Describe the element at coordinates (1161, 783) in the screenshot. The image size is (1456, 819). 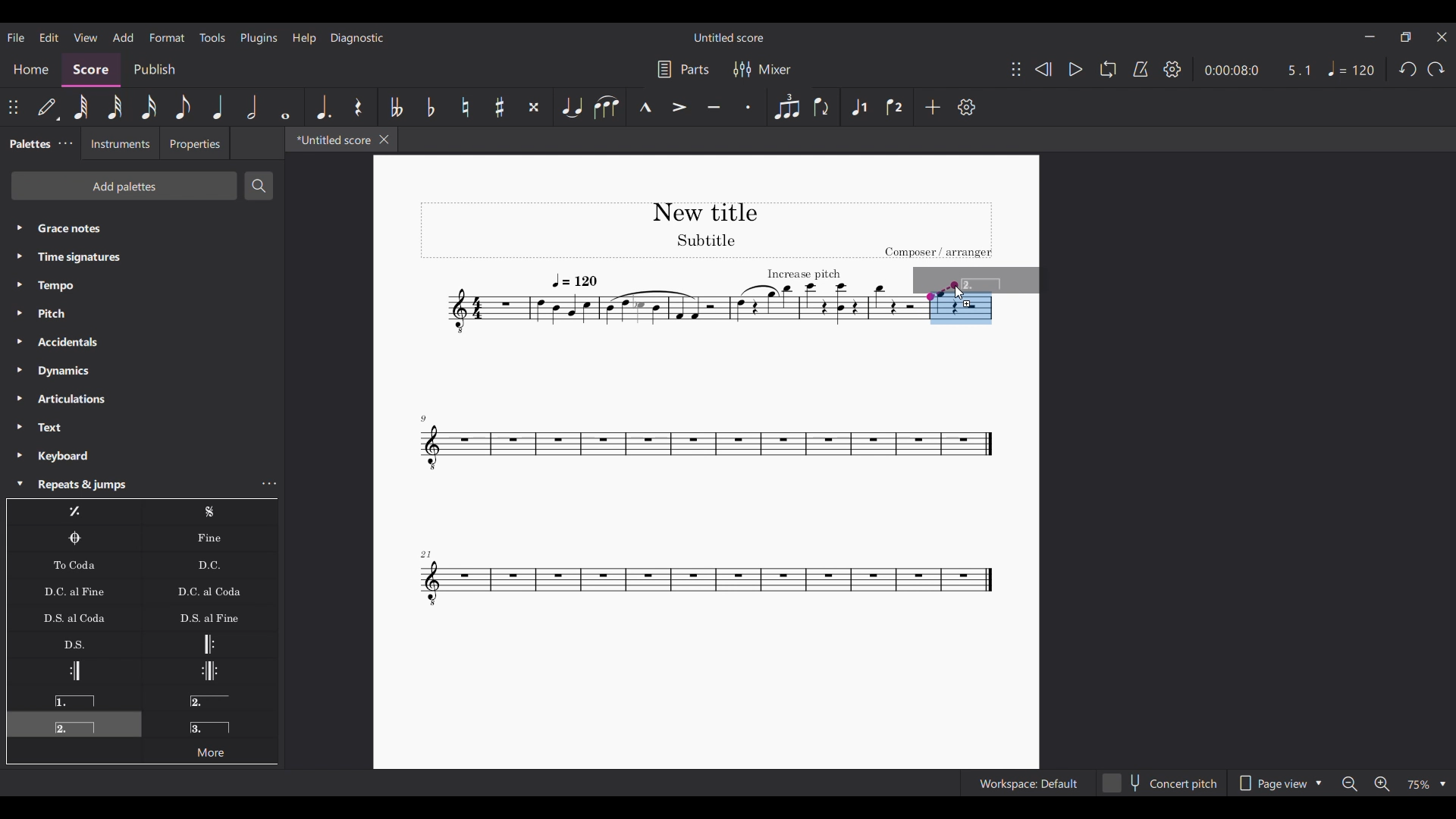
I see `Concert pitch toggle` at that location.